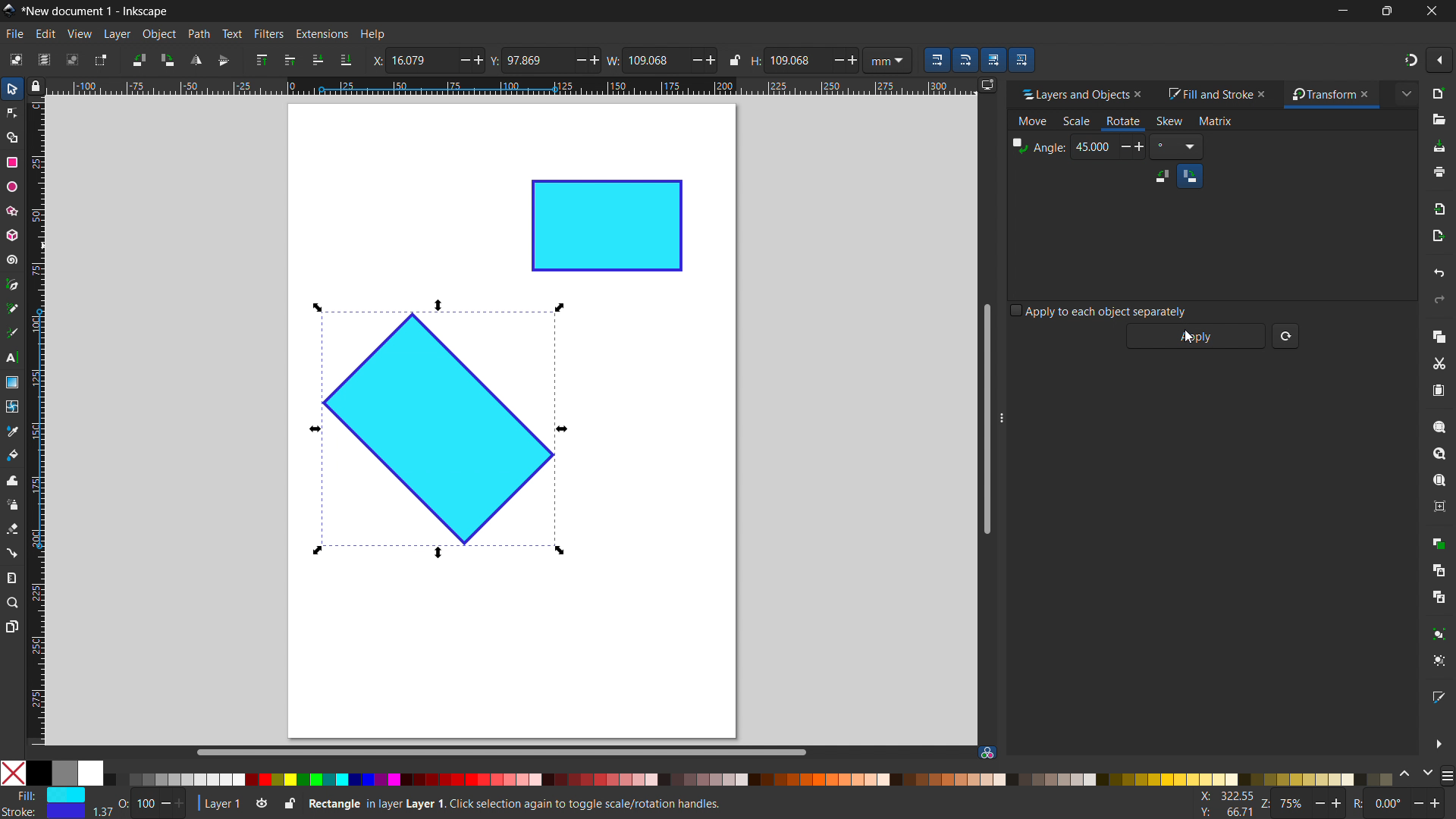 Image resolution: width=1456 pixels, height=819 pixels. What do you see at coordinates (1439, 60) in the screenshot?
I see `snapping options` at bounding box center [1439, 60].